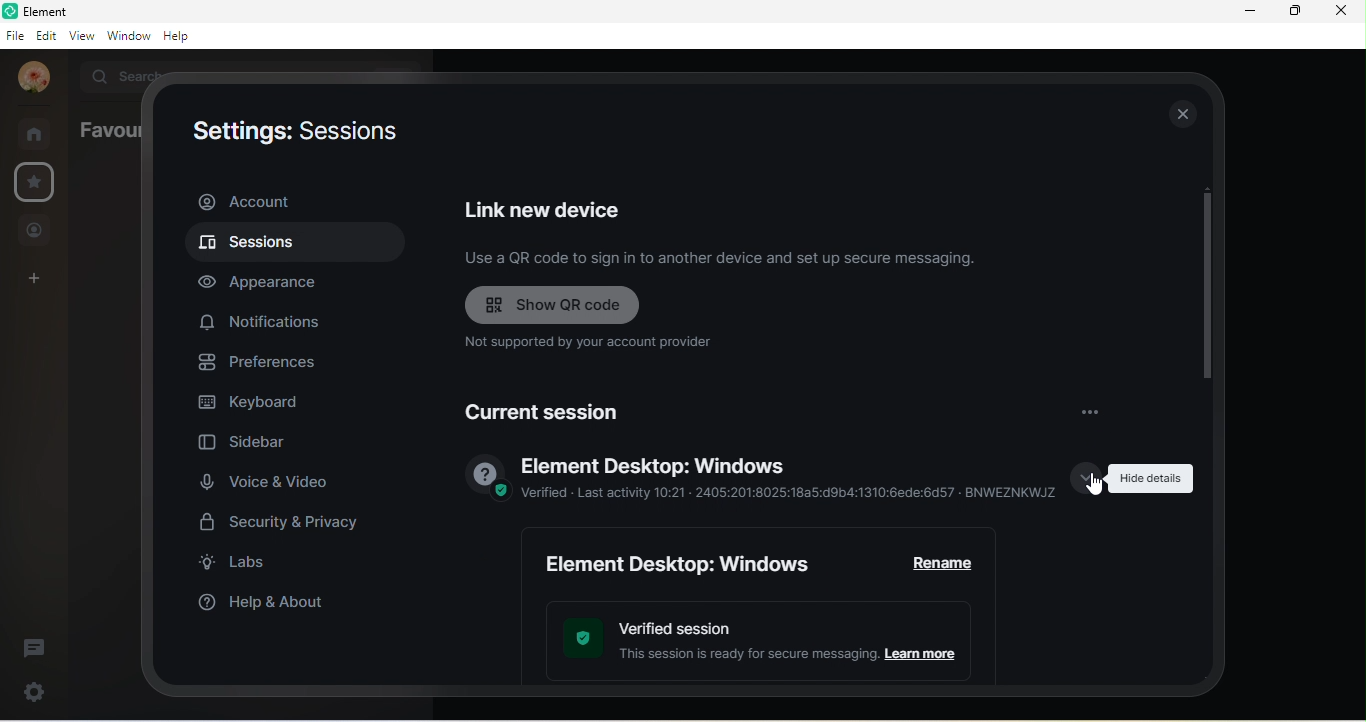 The height and width of the screenshot is (722, 1366). Describe the element at coordinates (248, 445) in the screenshot. I see `sidebar` at that location.